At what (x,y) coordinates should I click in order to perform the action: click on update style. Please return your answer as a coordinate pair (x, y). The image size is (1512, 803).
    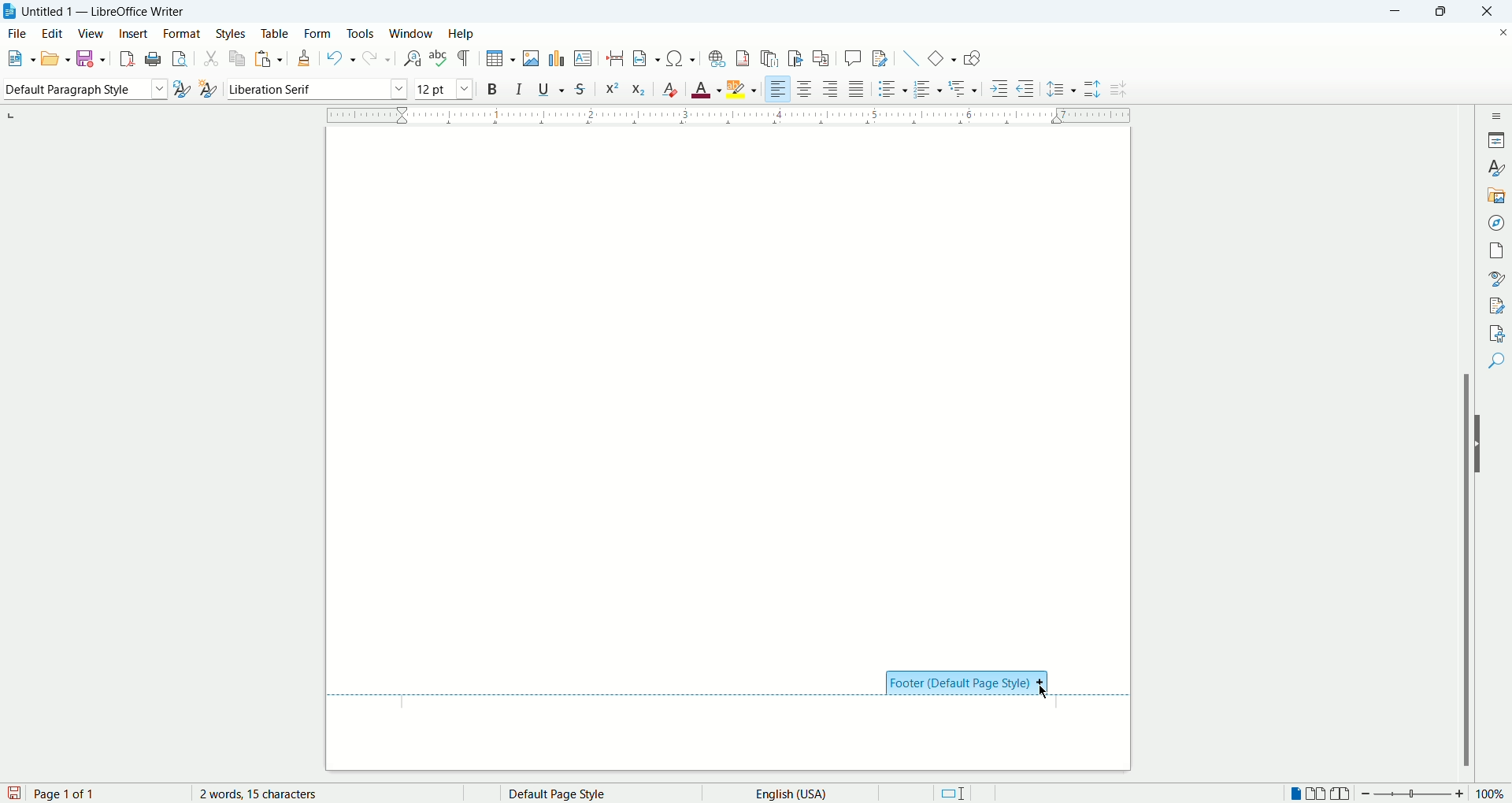
    Looking at the image, I should click on (181, 90).